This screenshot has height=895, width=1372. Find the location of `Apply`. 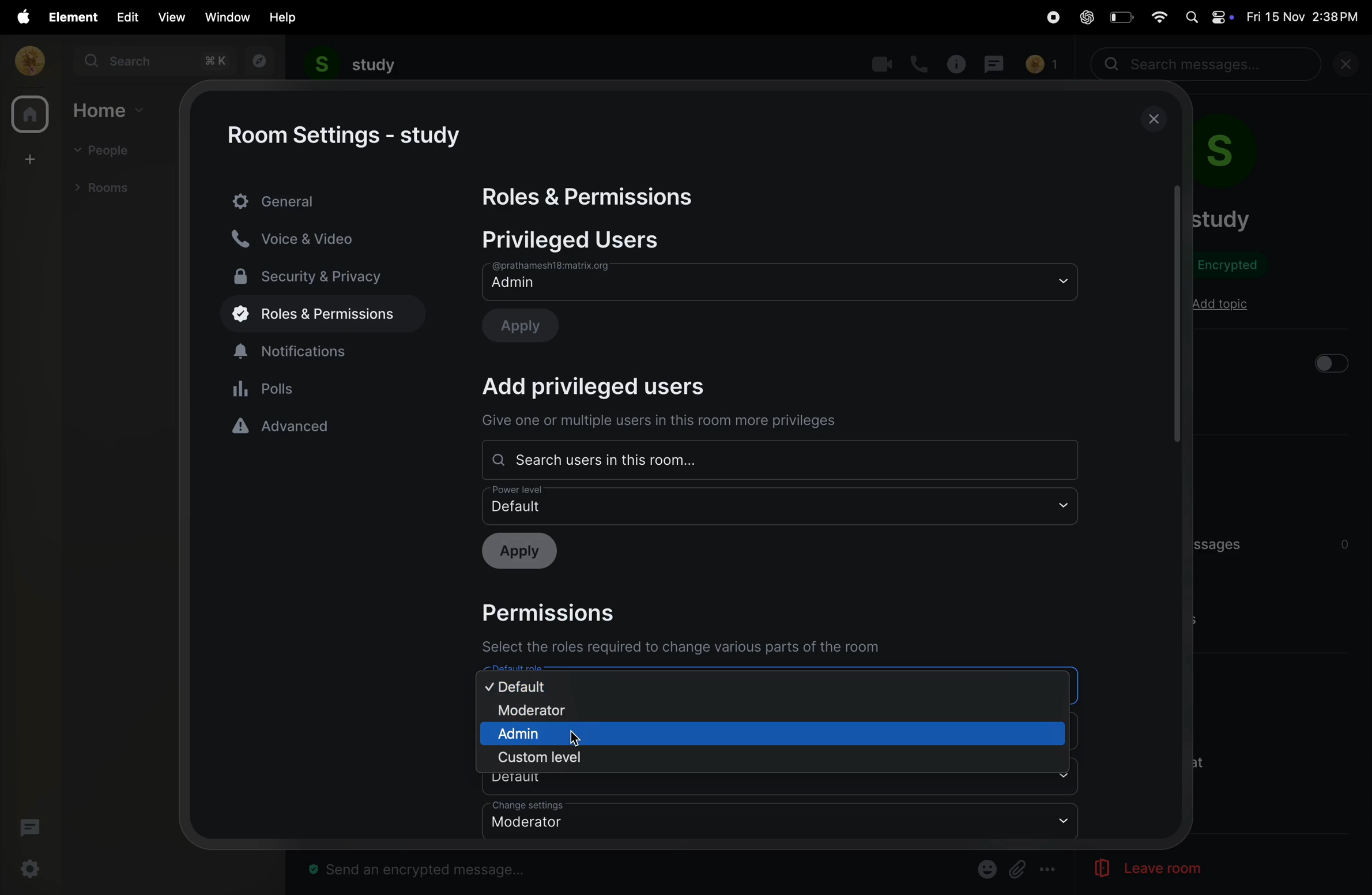

Apply is located at coordinates (526, 552).